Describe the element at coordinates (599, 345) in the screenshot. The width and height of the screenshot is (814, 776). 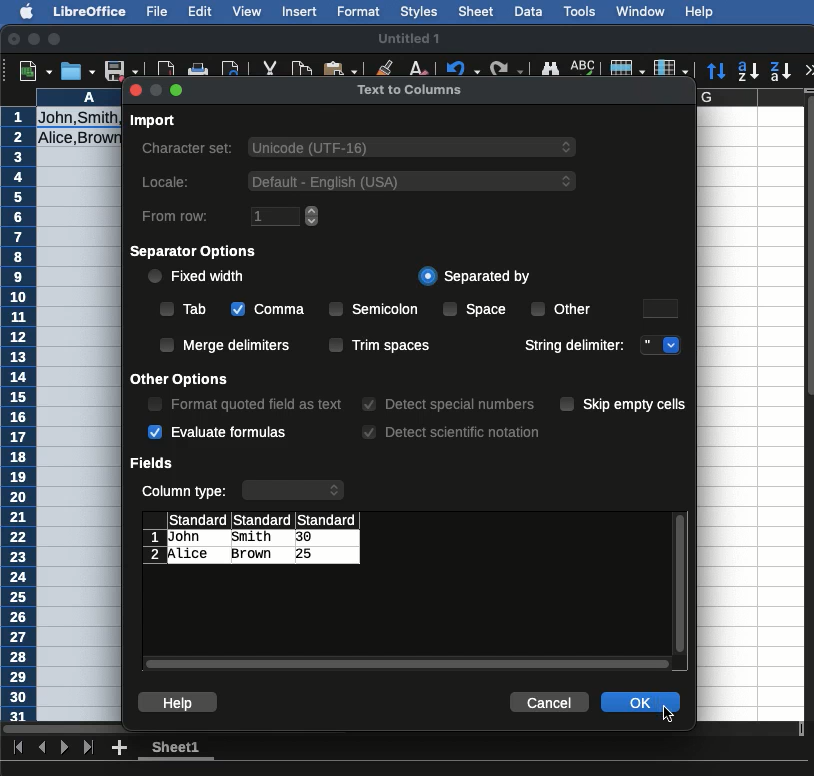
I see `String delimiter` at that location.